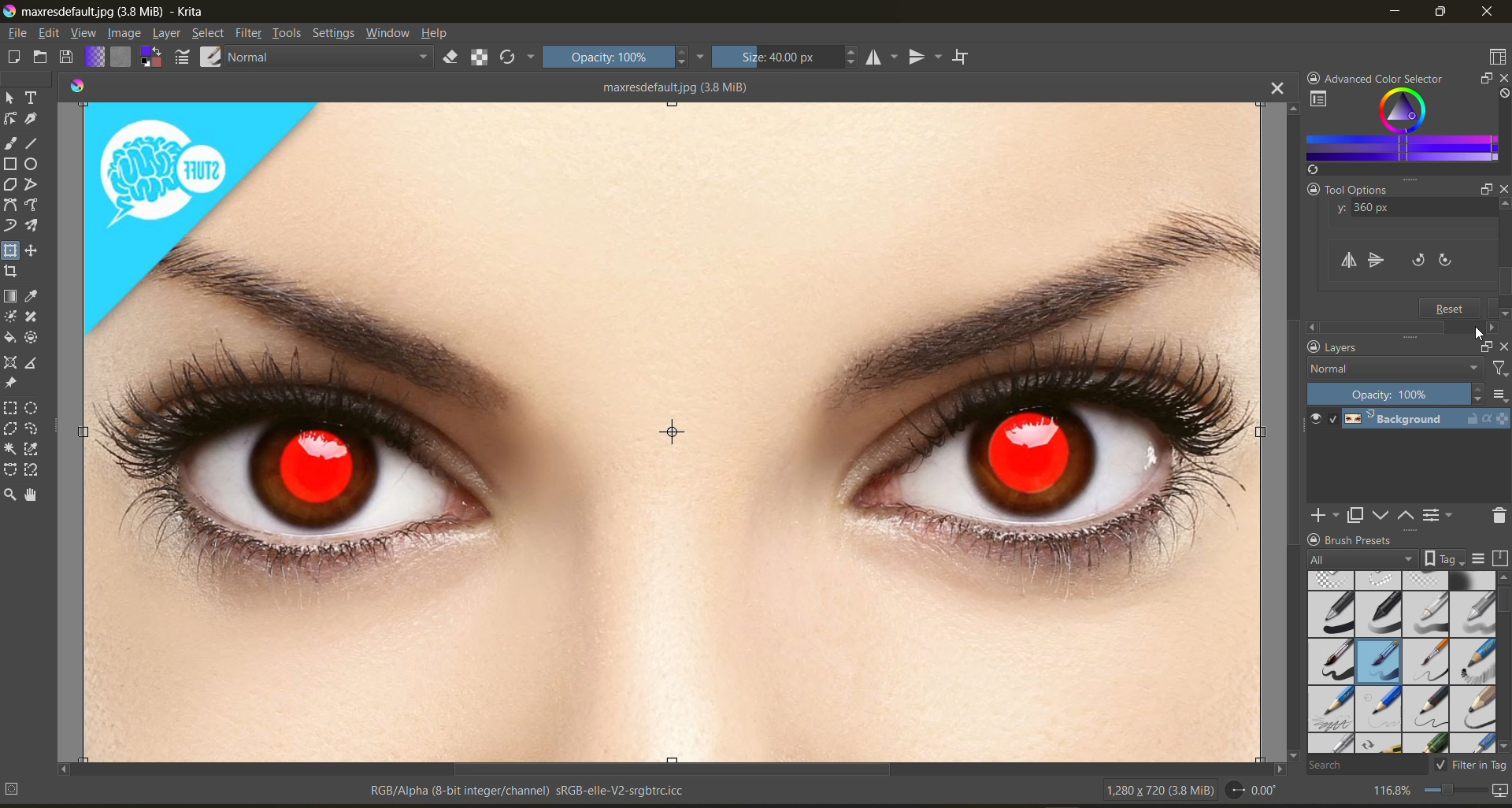  I want to click on tool, so click(31, 317).